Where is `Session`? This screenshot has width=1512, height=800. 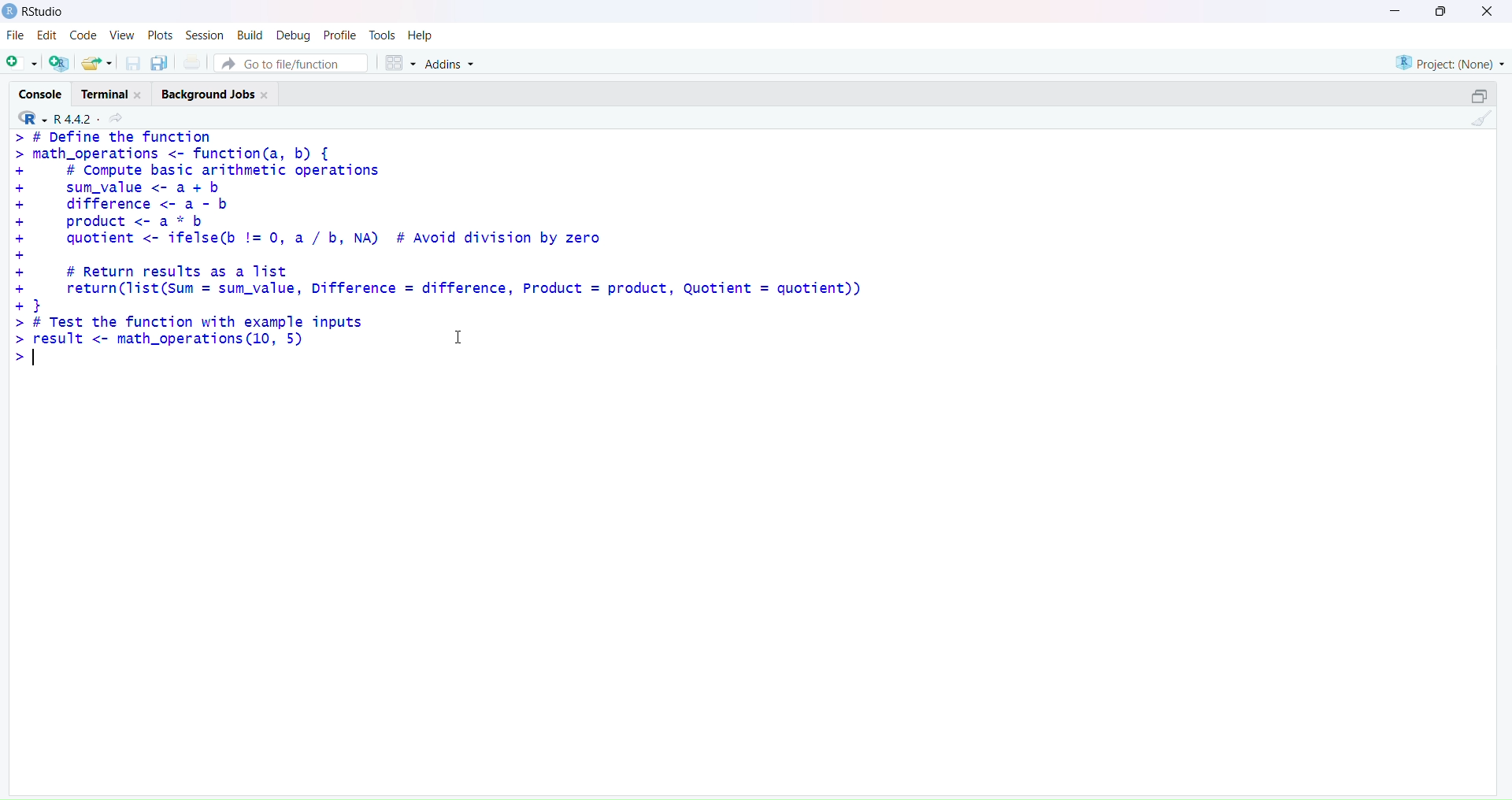 Session is located at coordinates (202, 32).